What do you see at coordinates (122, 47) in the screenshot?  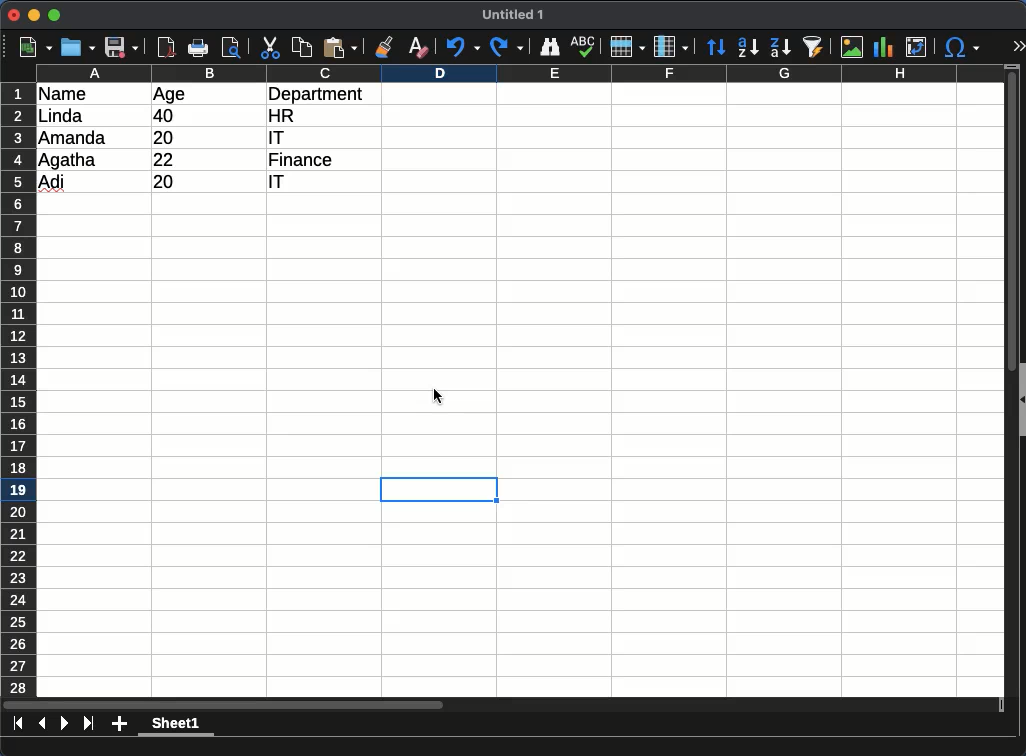 I see `save` at bounding box center [122, 47].